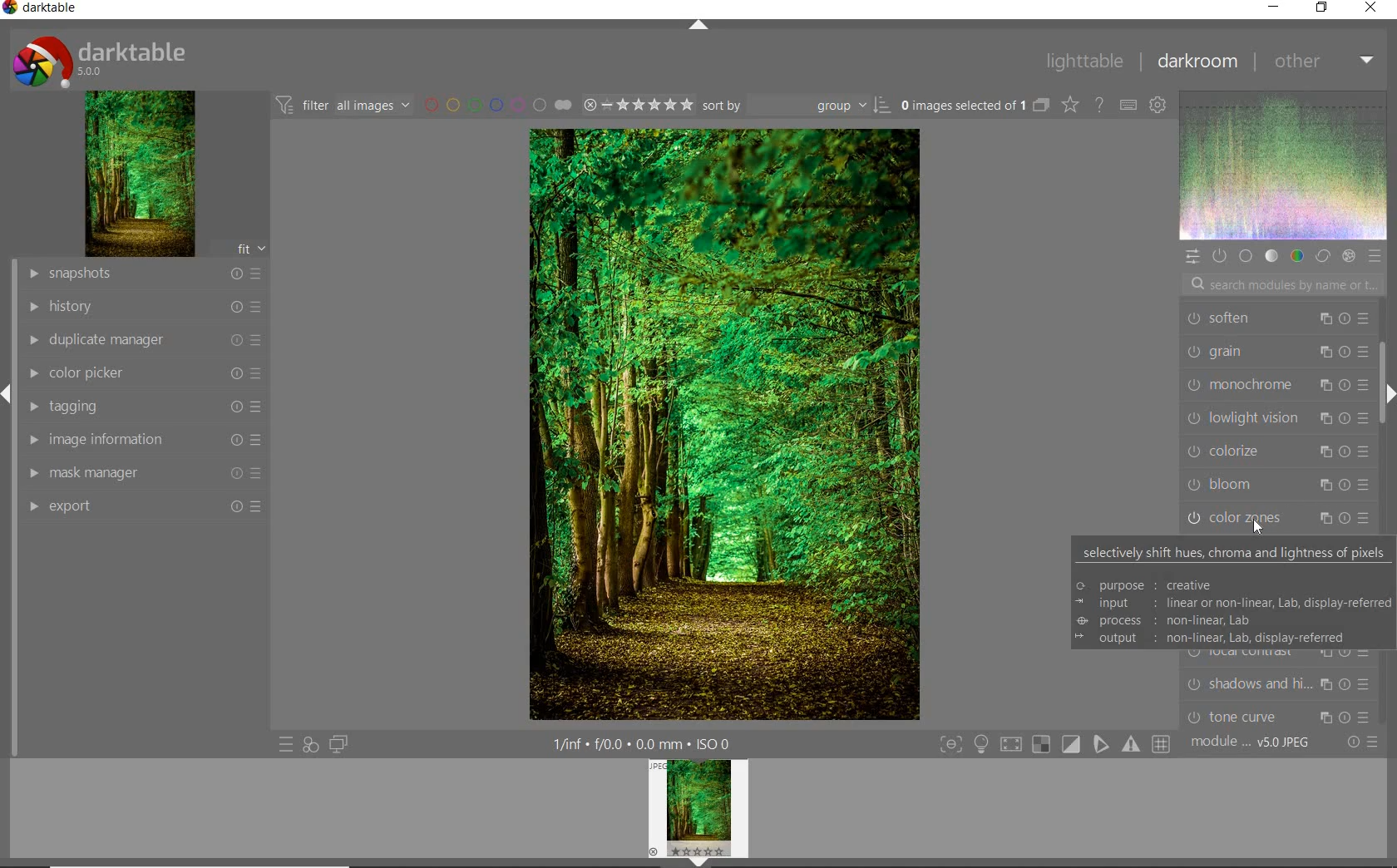 The height and width of the screenshot is (868, 1397). Describe the element at coordinates (726, 423) in the screenshot. I see `SELECTED IMAGE` at that location.